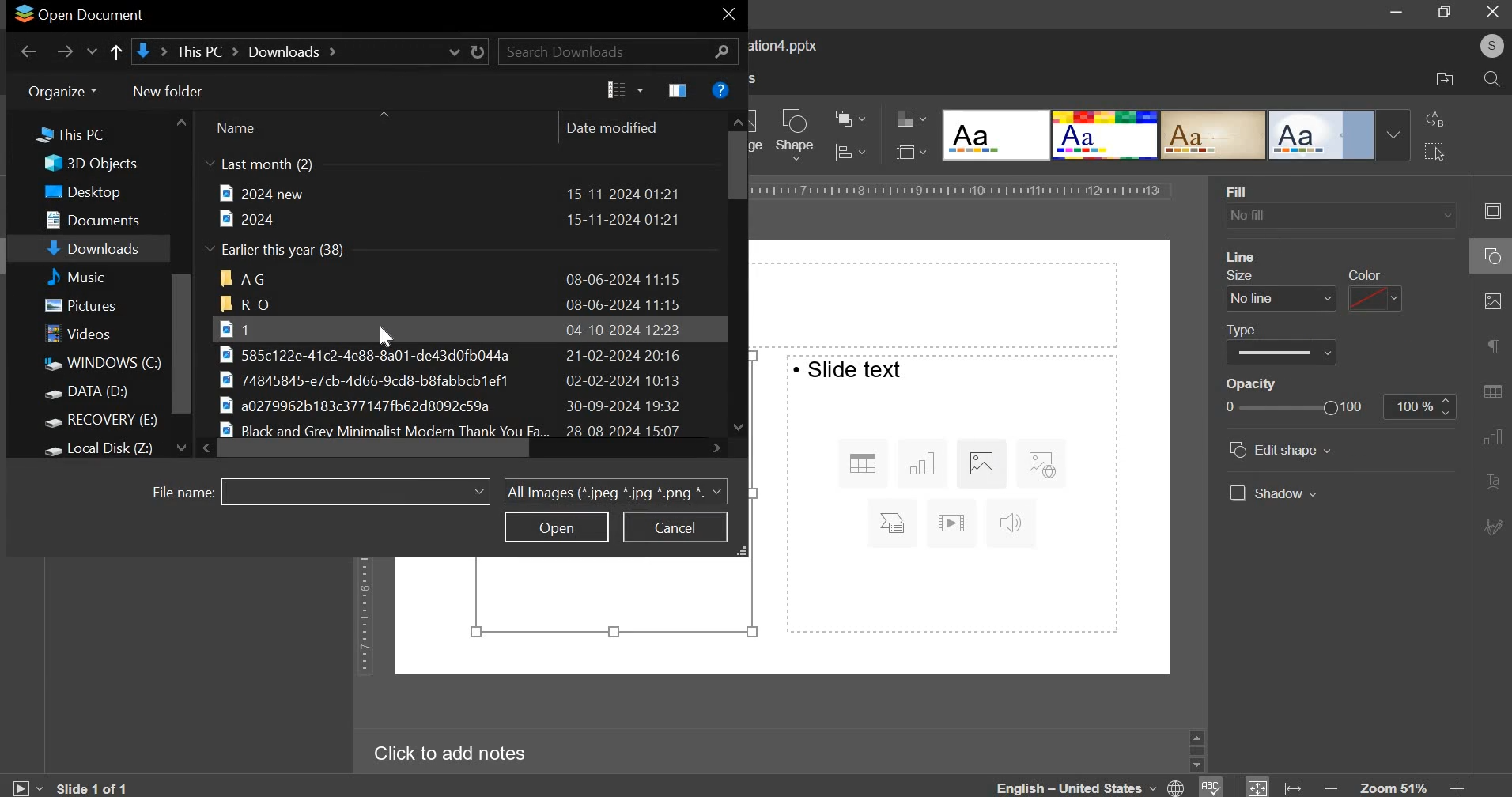 The image size is (1512, 797). Describe the element at coordinates (385, 337) in the screenshot. I see `Cursor` at that location.